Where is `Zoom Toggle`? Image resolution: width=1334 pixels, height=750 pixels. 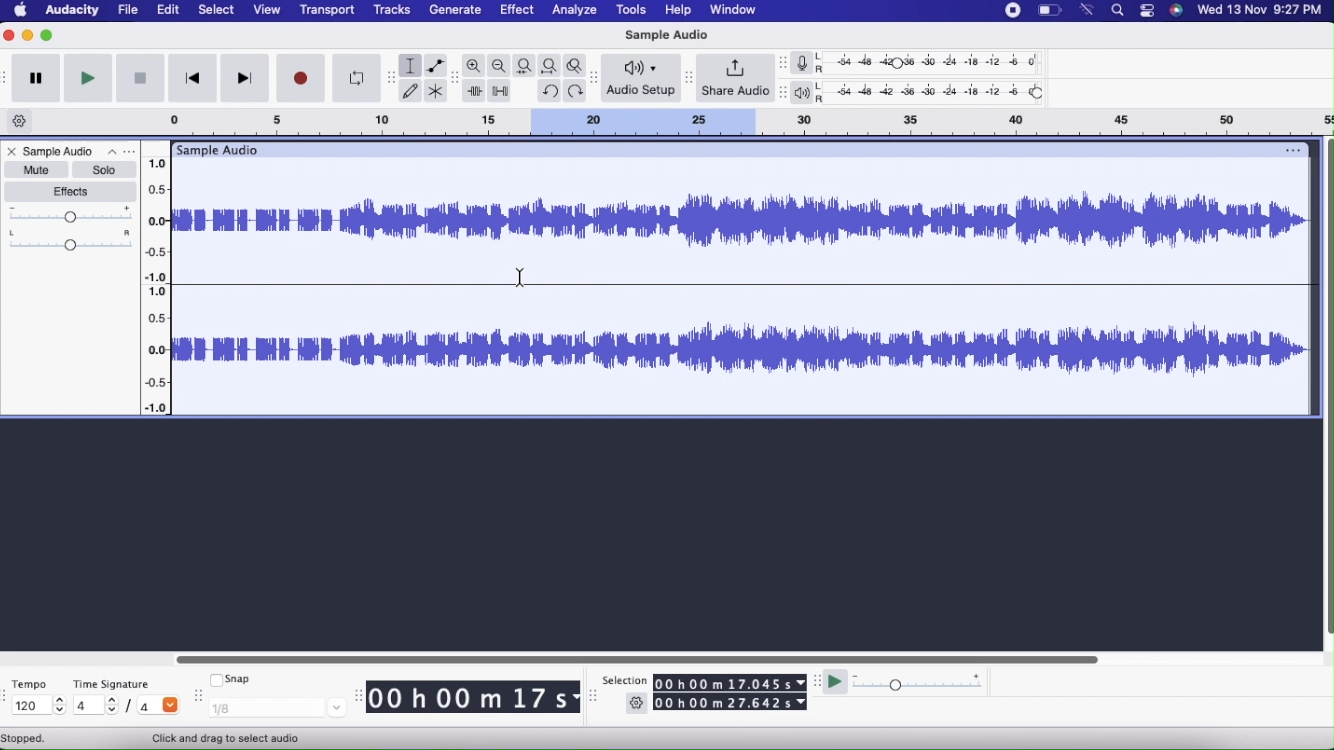 Zoom Toggle is located at coordinates (578, 64).